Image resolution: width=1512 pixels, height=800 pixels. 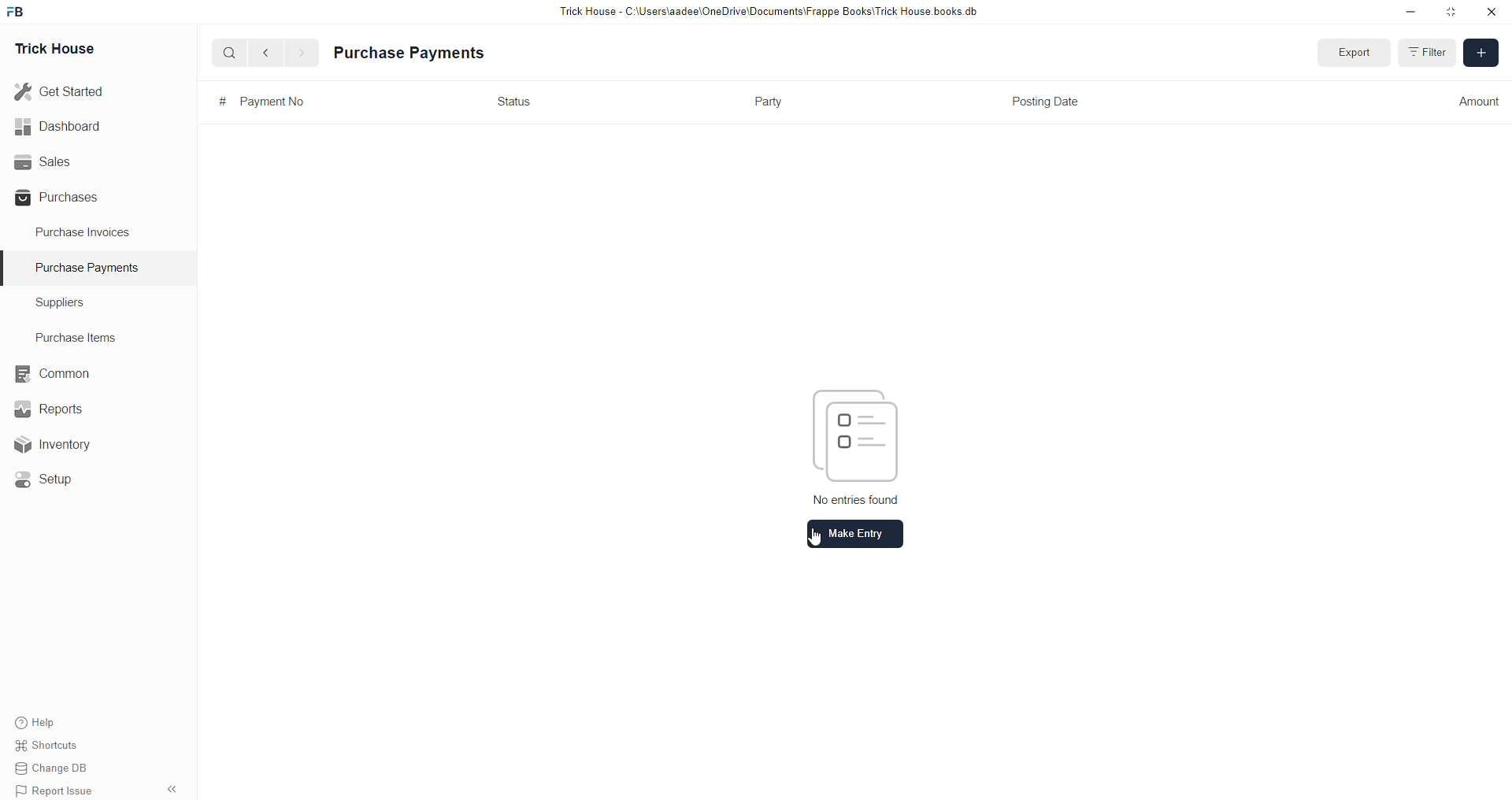 I want to click on close, so click(x=1492, y=12).